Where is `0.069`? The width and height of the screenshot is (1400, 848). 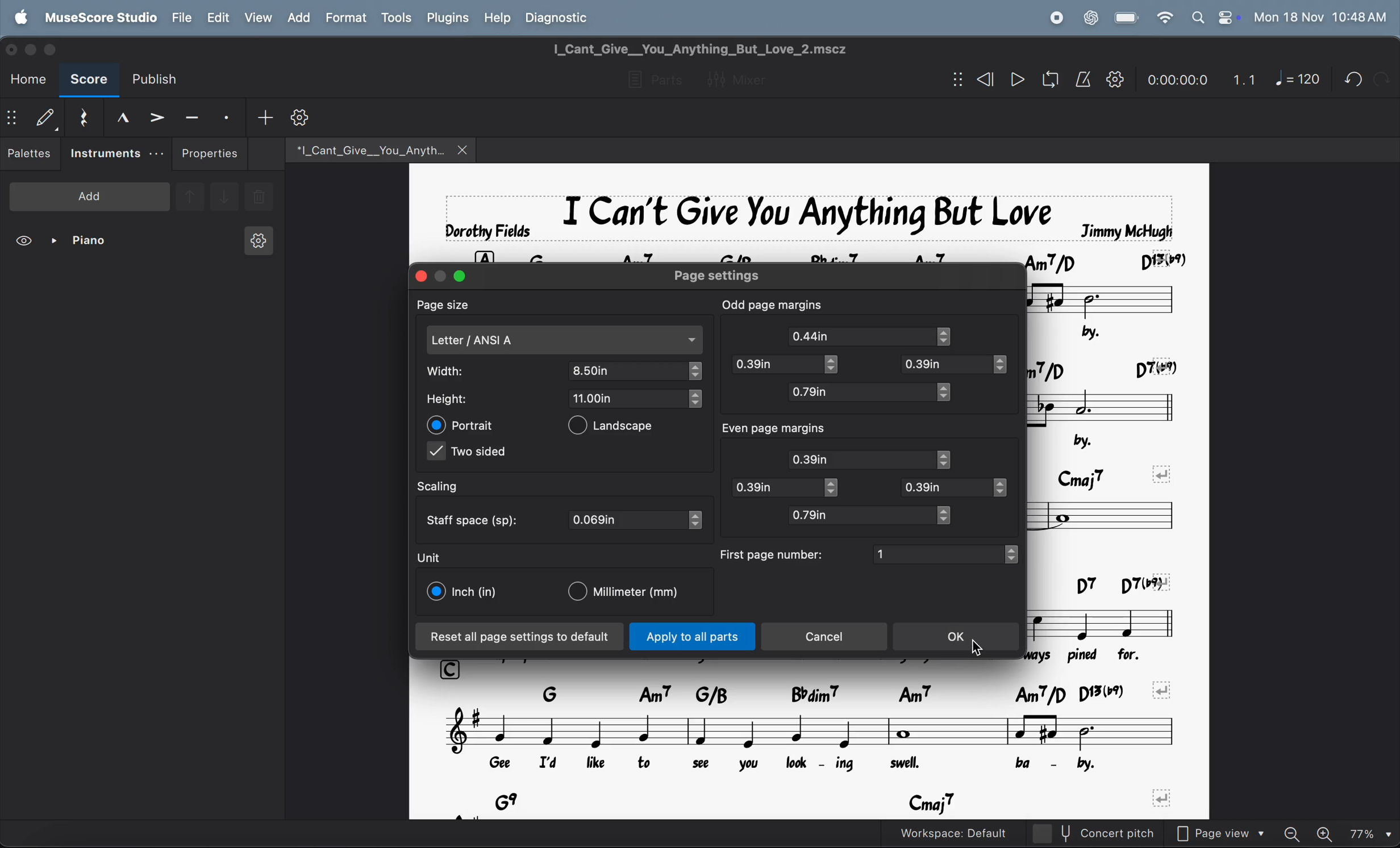 0.069 is located at coordinates (628, 520).